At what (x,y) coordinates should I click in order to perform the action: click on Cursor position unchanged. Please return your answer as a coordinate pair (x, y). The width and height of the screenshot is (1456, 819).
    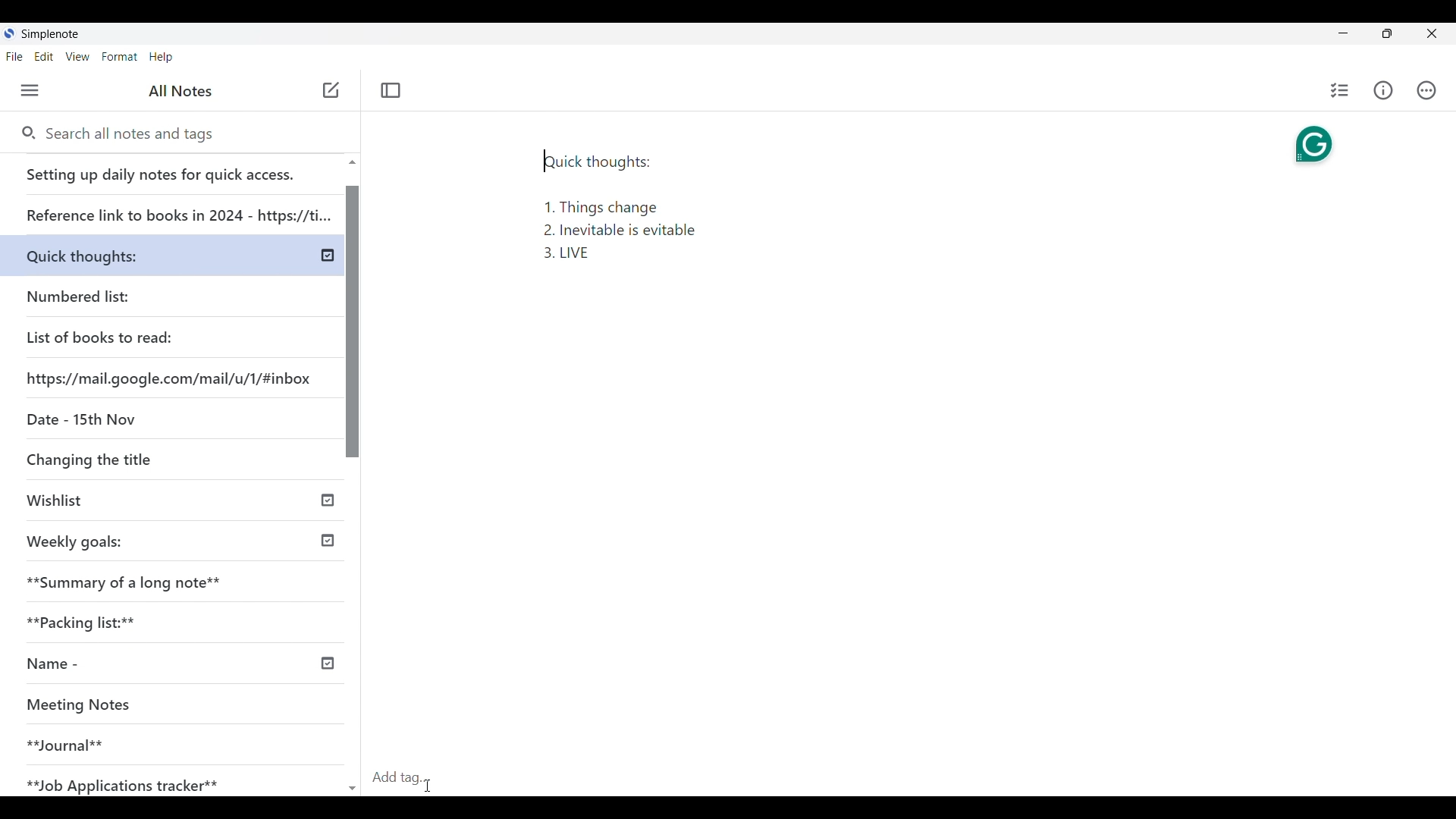
    Looking at the image, I should click on (331, 91).